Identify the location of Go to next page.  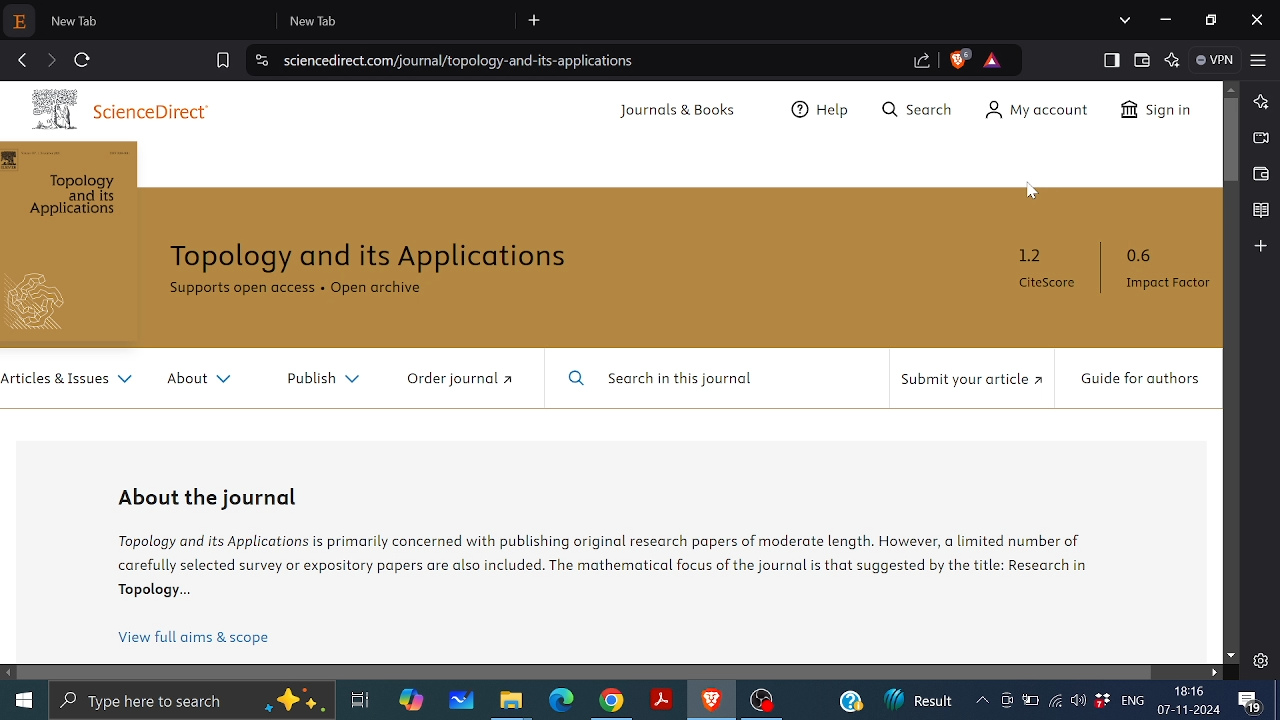
(53, 58).